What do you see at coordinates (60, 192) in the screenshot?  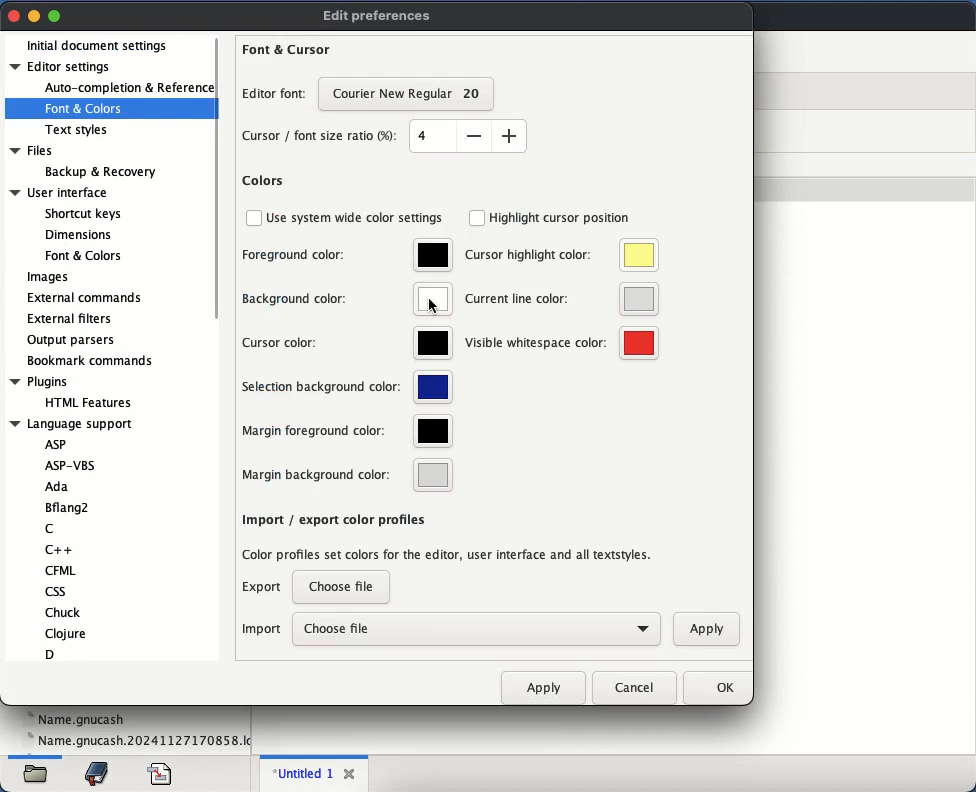 I see `User interface` at bounding box center [60, 192].